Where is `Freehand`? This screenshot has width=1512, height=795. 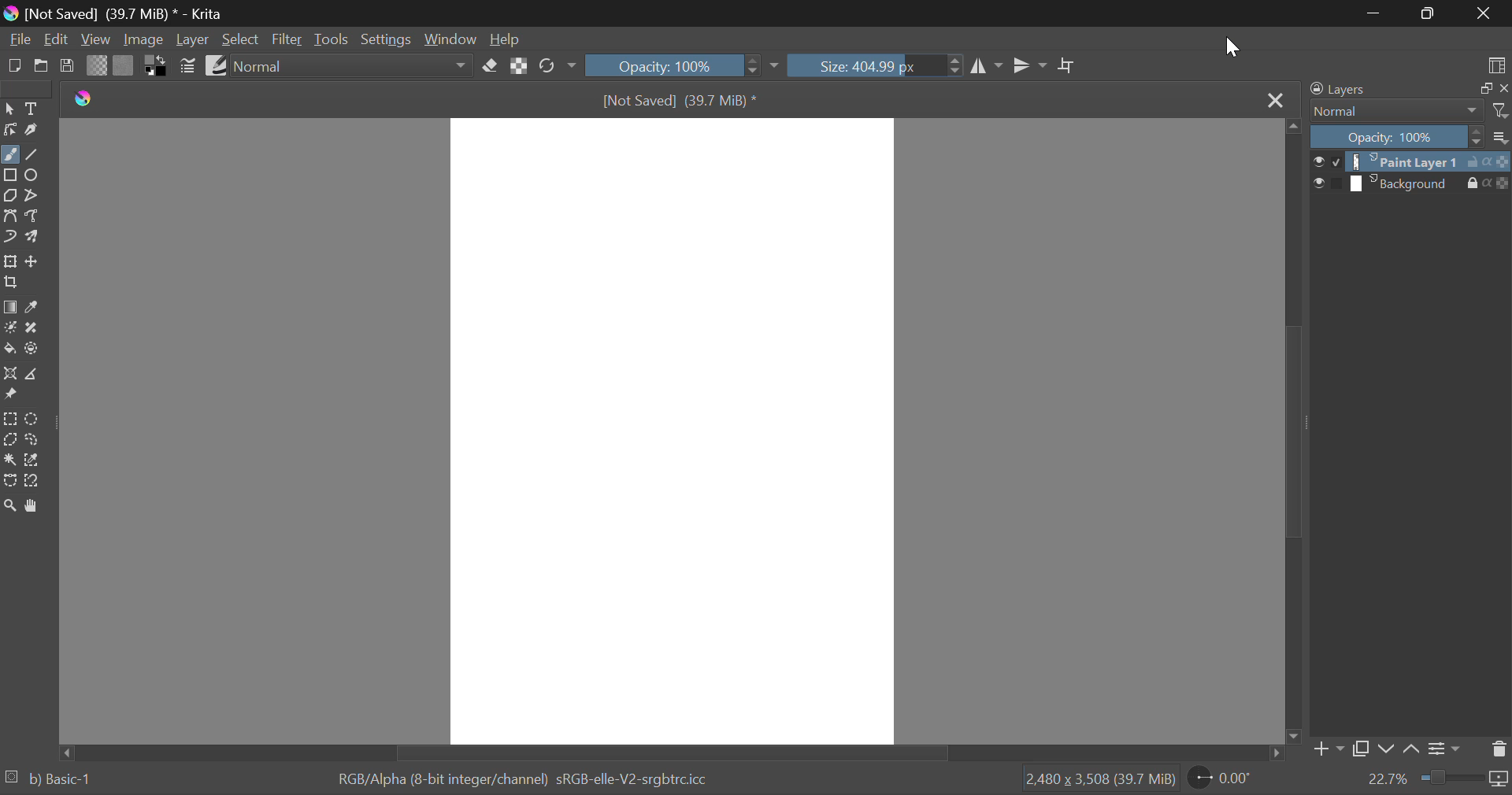 Freehand is located at coordinates (10, 154).